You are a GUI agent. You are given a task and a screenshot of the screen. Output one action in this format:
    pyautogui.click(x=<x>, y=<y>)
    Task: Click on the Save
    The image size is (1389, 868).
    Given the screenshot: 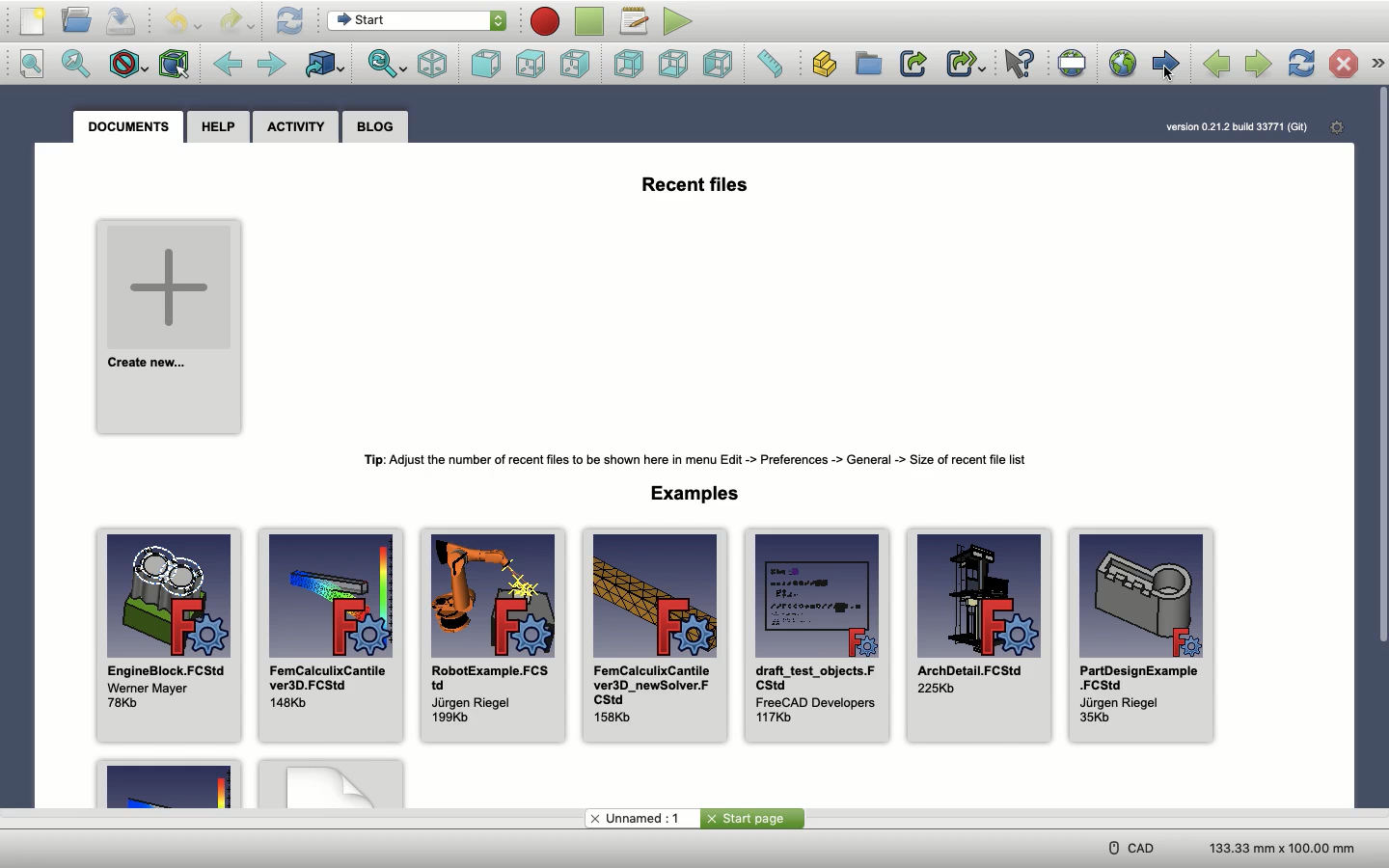 What is the action you would take?
    pyautogui.click(x=122, y=20)
    